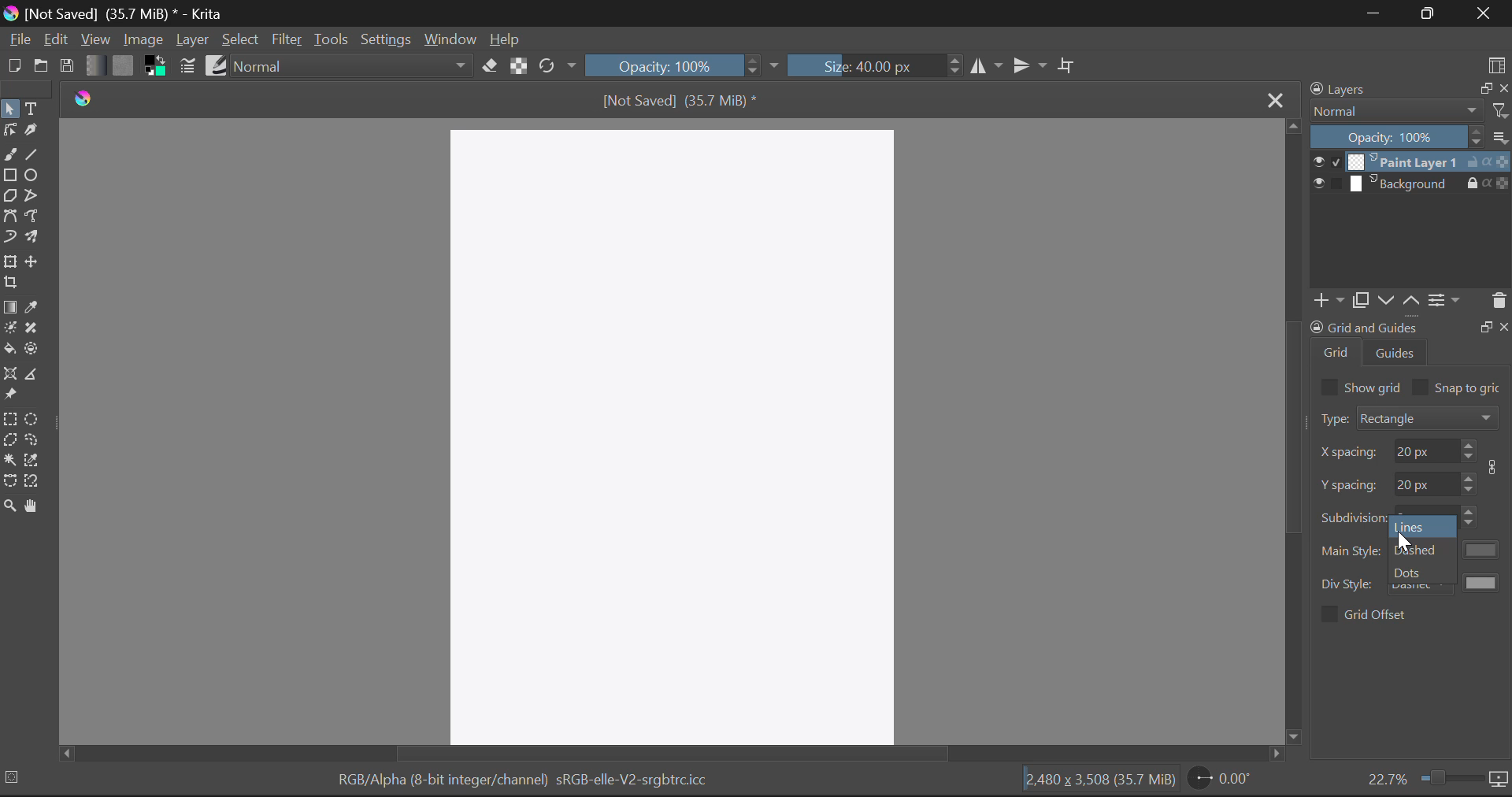 This screenshot has width=1512, height=797. Describe the element at coordinates (217, 65) in the screenshot. I see `Brush Presets` at that location.